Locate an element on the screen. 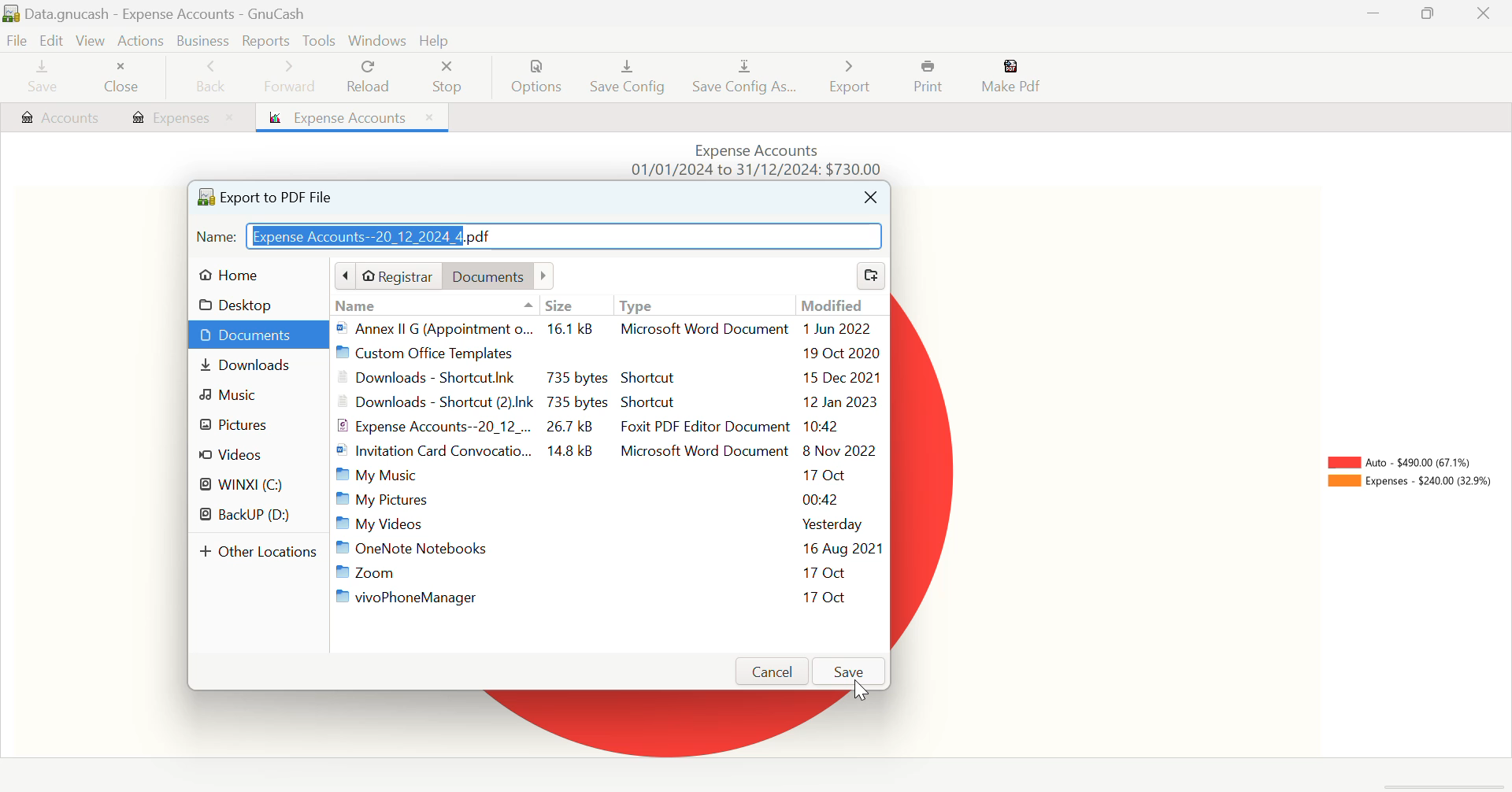  Invitation Card File is located at coordinates (612, 451).